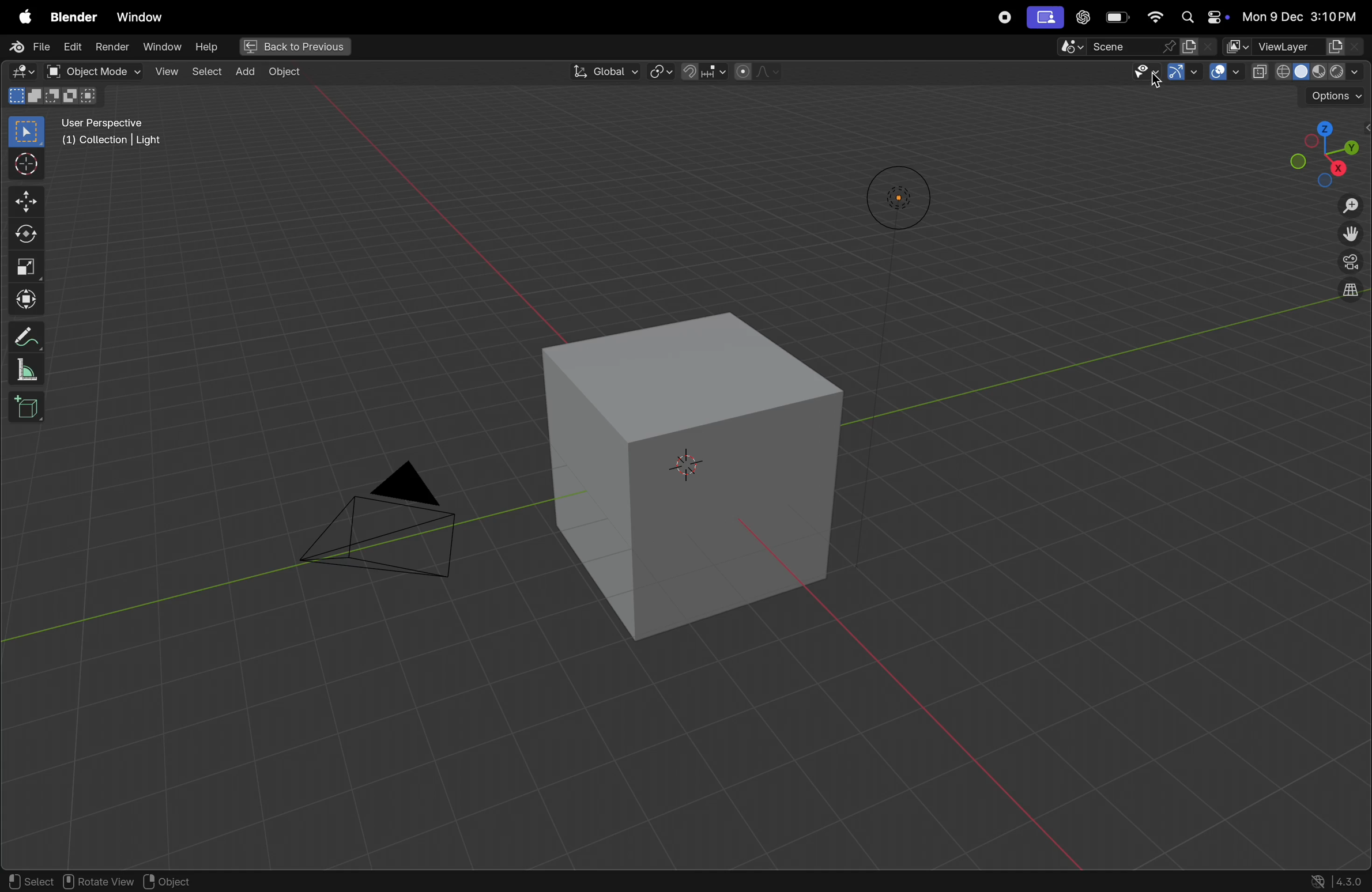 This screenshot has height=892, width=1372. Describe the element at coordinates (172, 879) in the screenshot. I see `object` at that location.